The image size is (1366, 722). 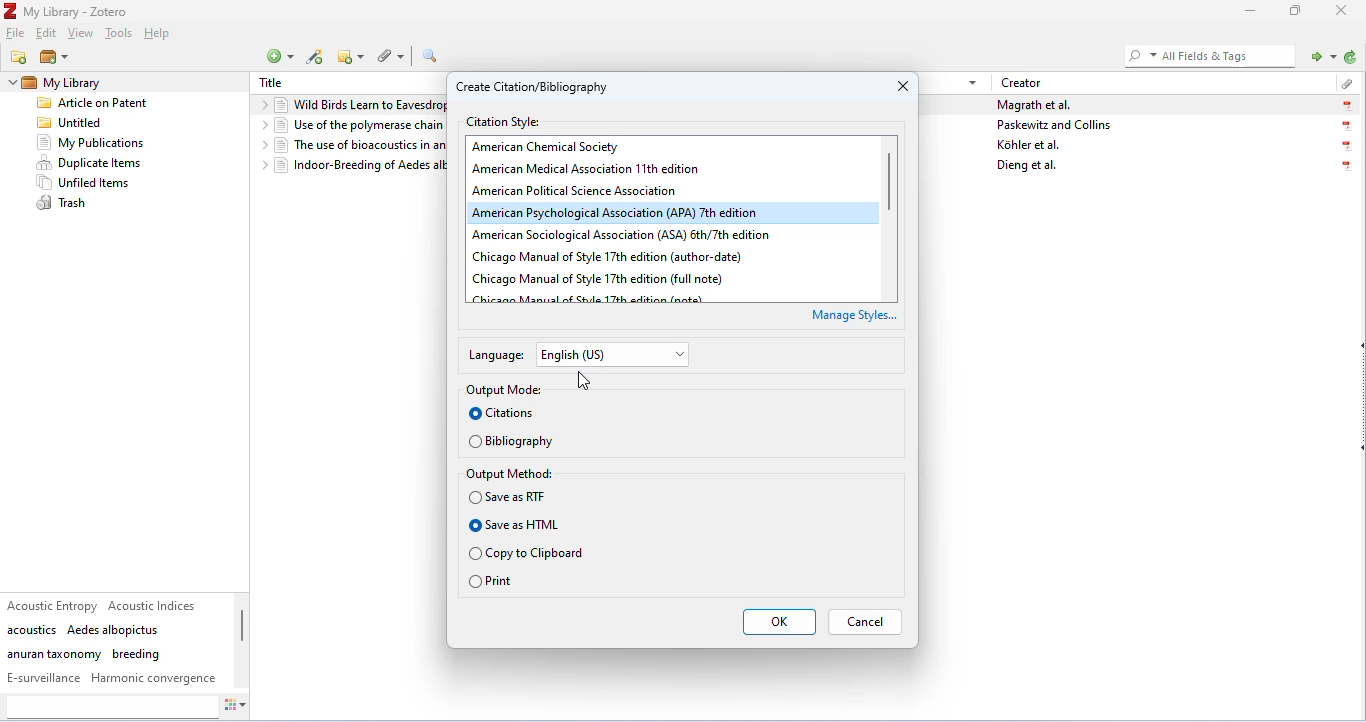 I want to click on copy to clipboard, so click(x=528, y=553).